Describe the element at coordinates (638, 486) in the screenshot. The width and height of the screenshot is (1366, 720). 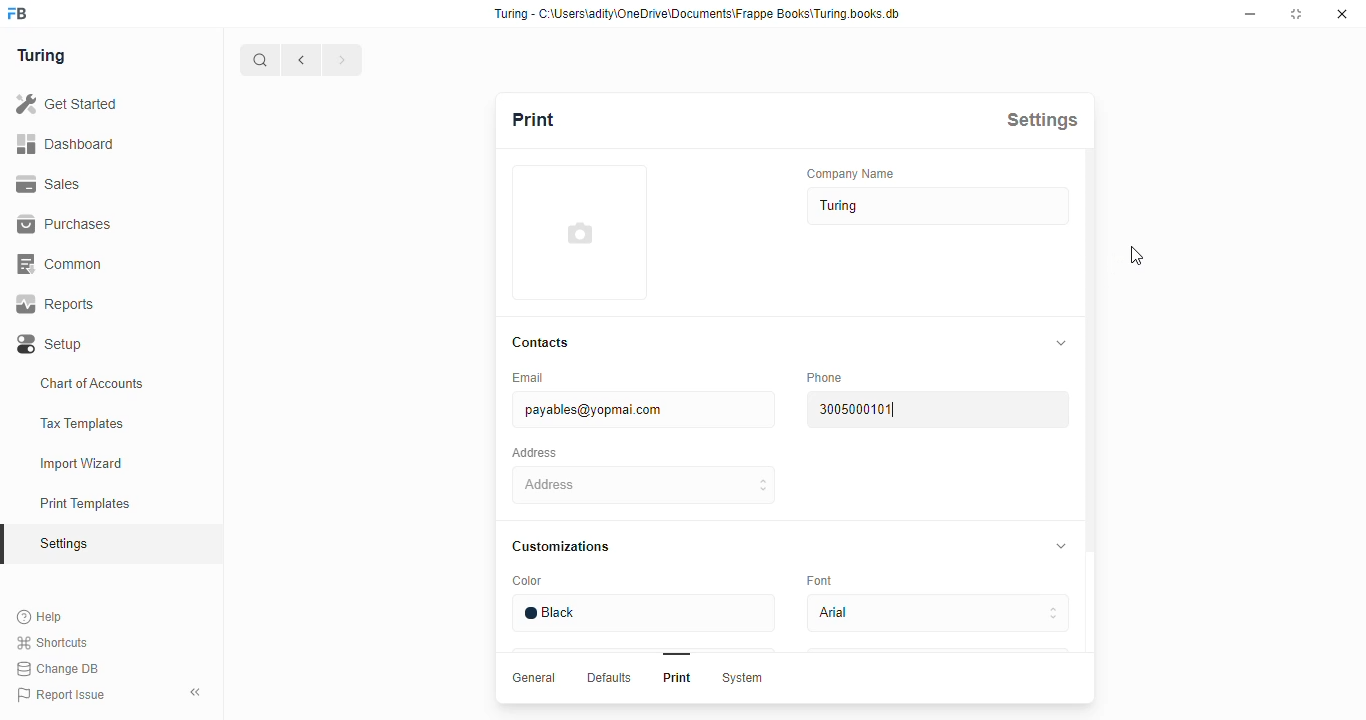
I see `Address` at that location.